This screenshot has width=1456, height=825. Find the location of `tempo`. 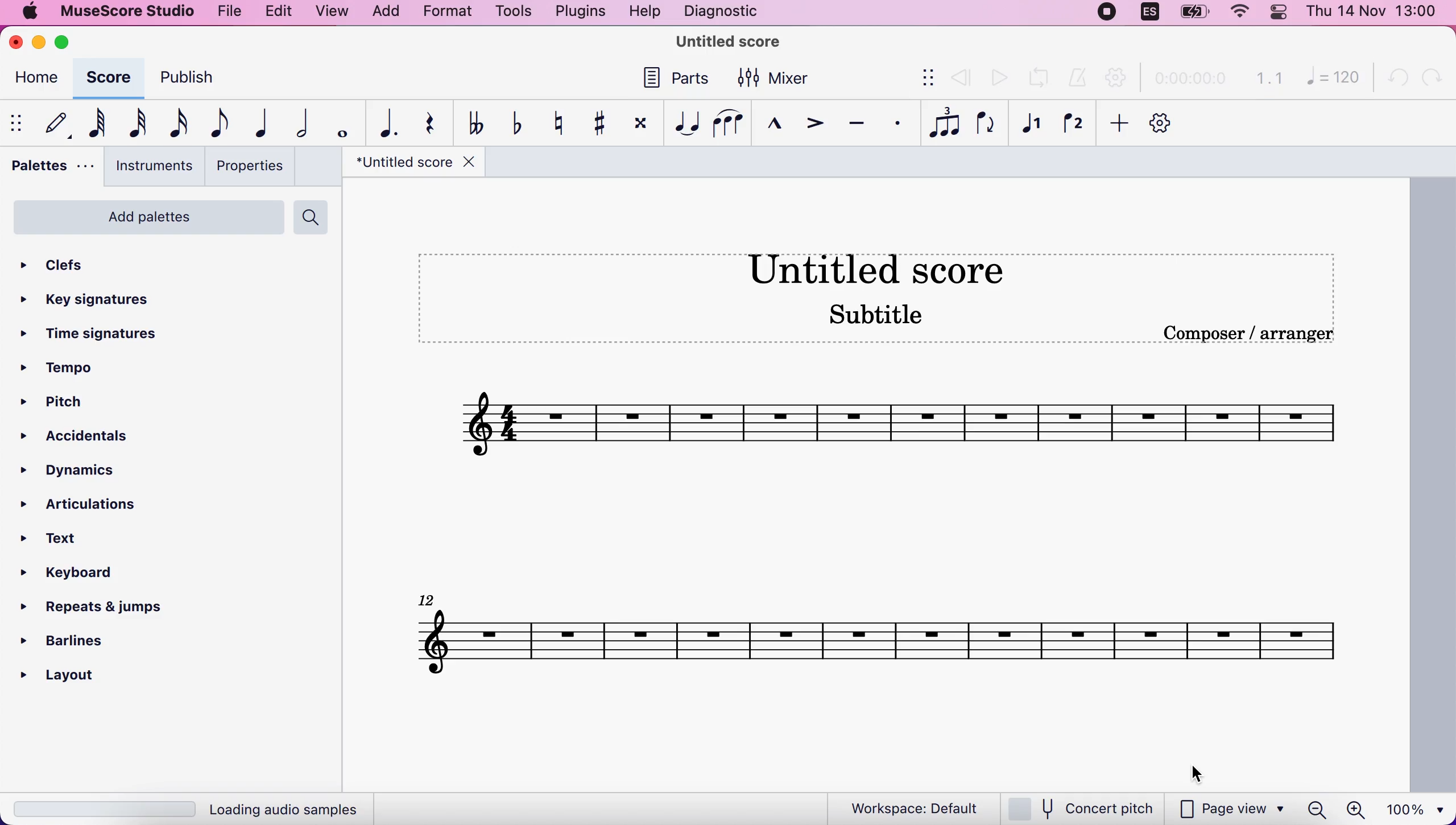

tempo is located at coordinates (67, 370).